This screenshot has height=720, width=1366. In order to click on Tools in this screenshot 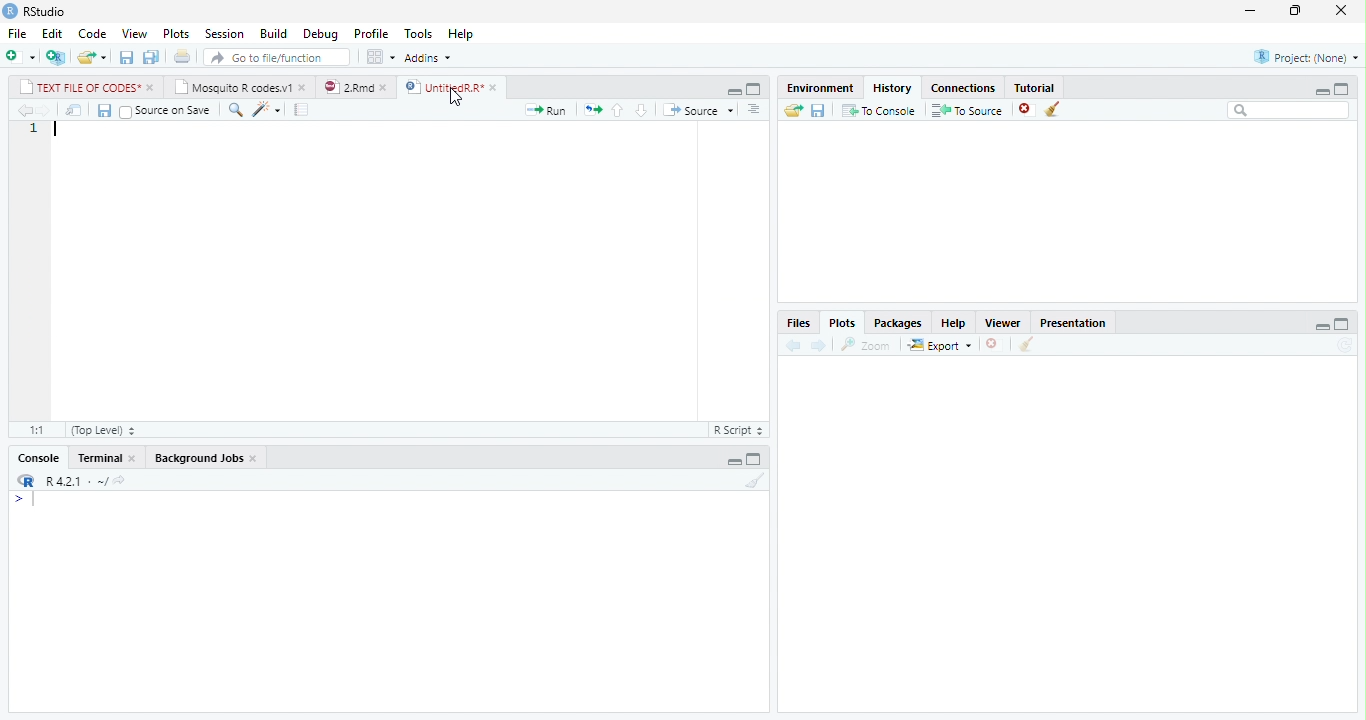, I will do `click(418, 32)`.